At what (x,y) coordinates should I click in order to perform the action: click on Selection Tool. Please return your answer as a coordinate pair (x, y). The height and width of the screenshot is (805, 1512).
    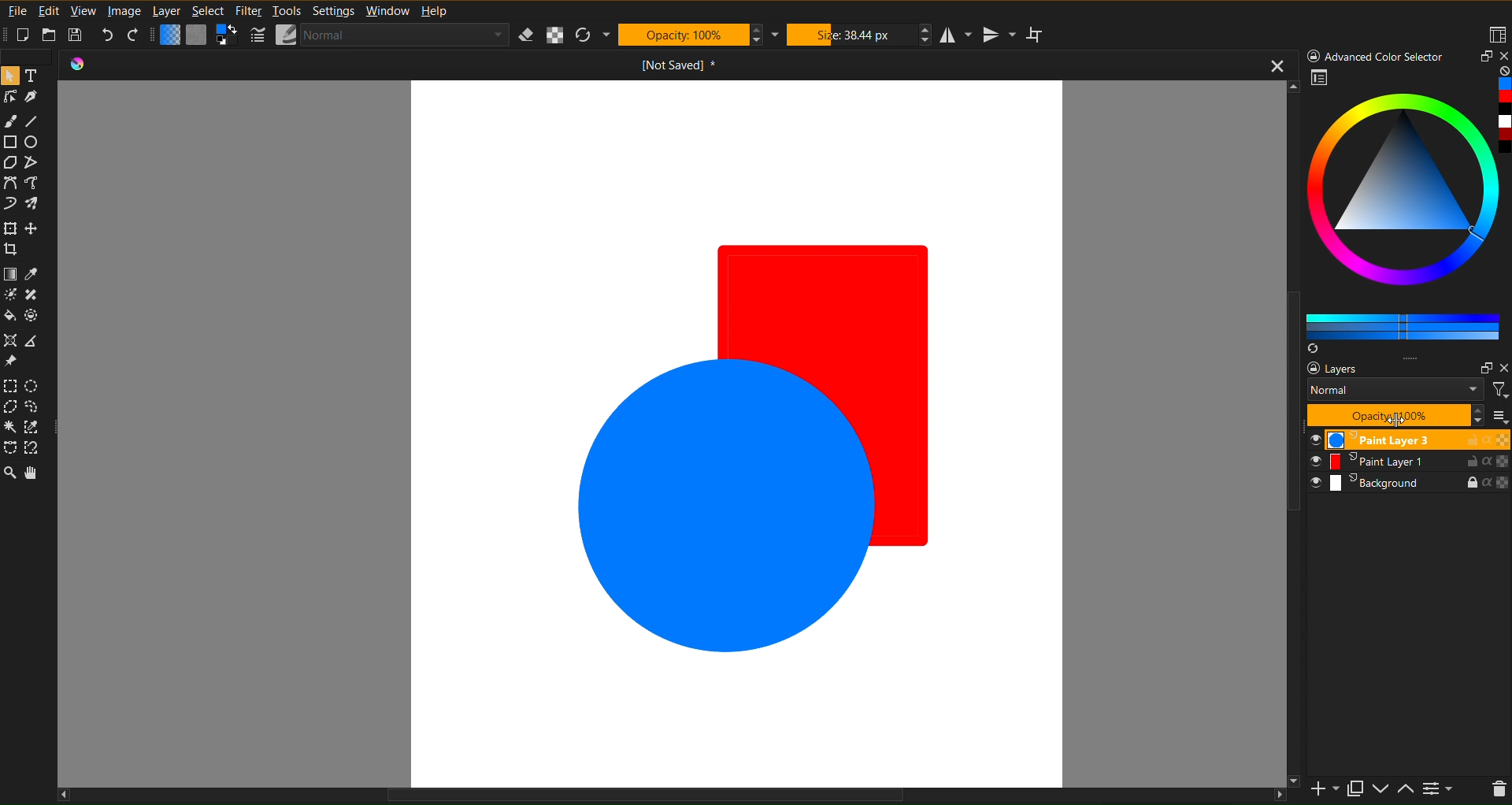
    Looking at the image, I should click on (31, 447).